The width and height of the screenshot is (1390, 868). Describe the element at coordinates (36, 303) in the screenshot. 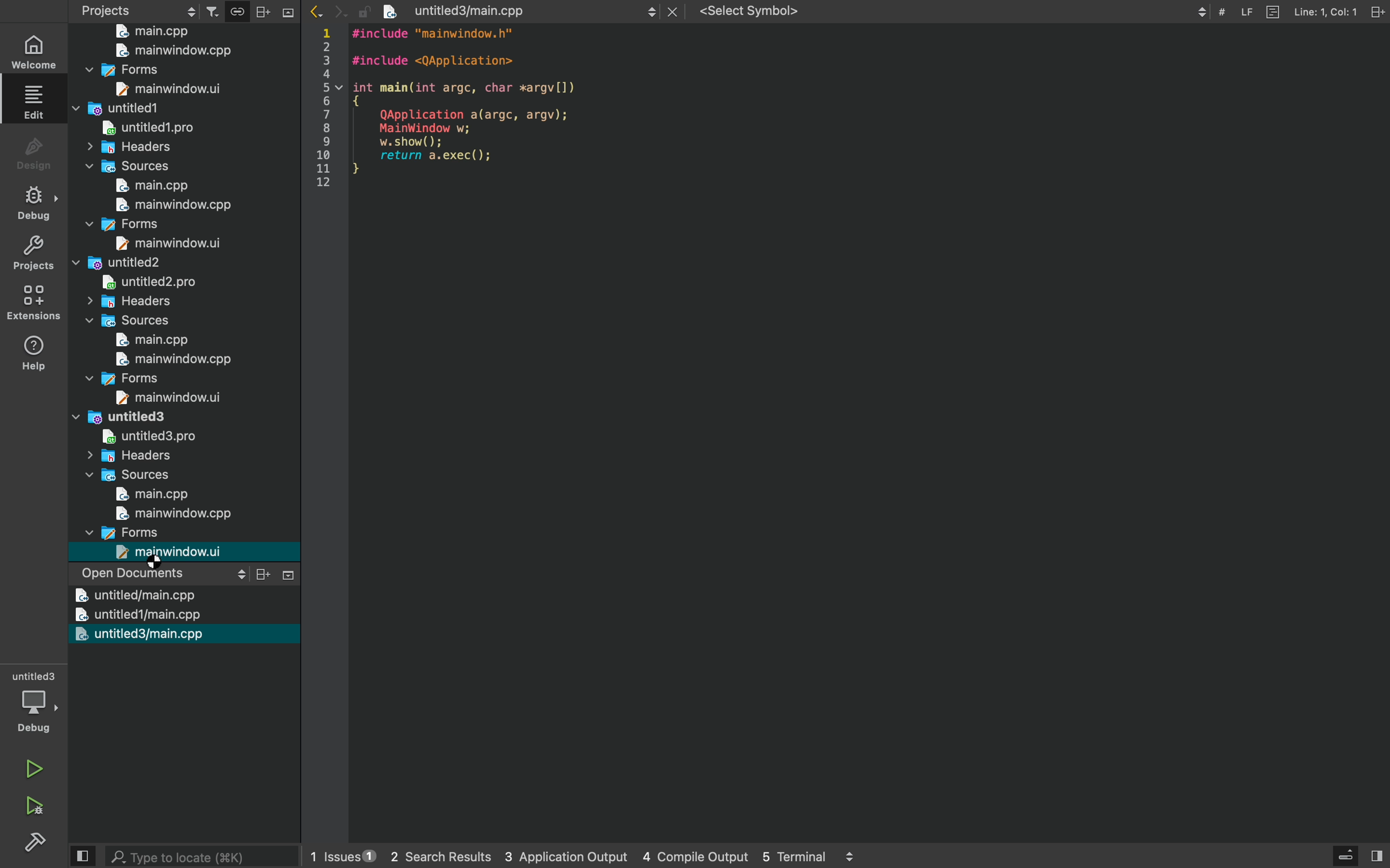

I see `extensions` at that location.